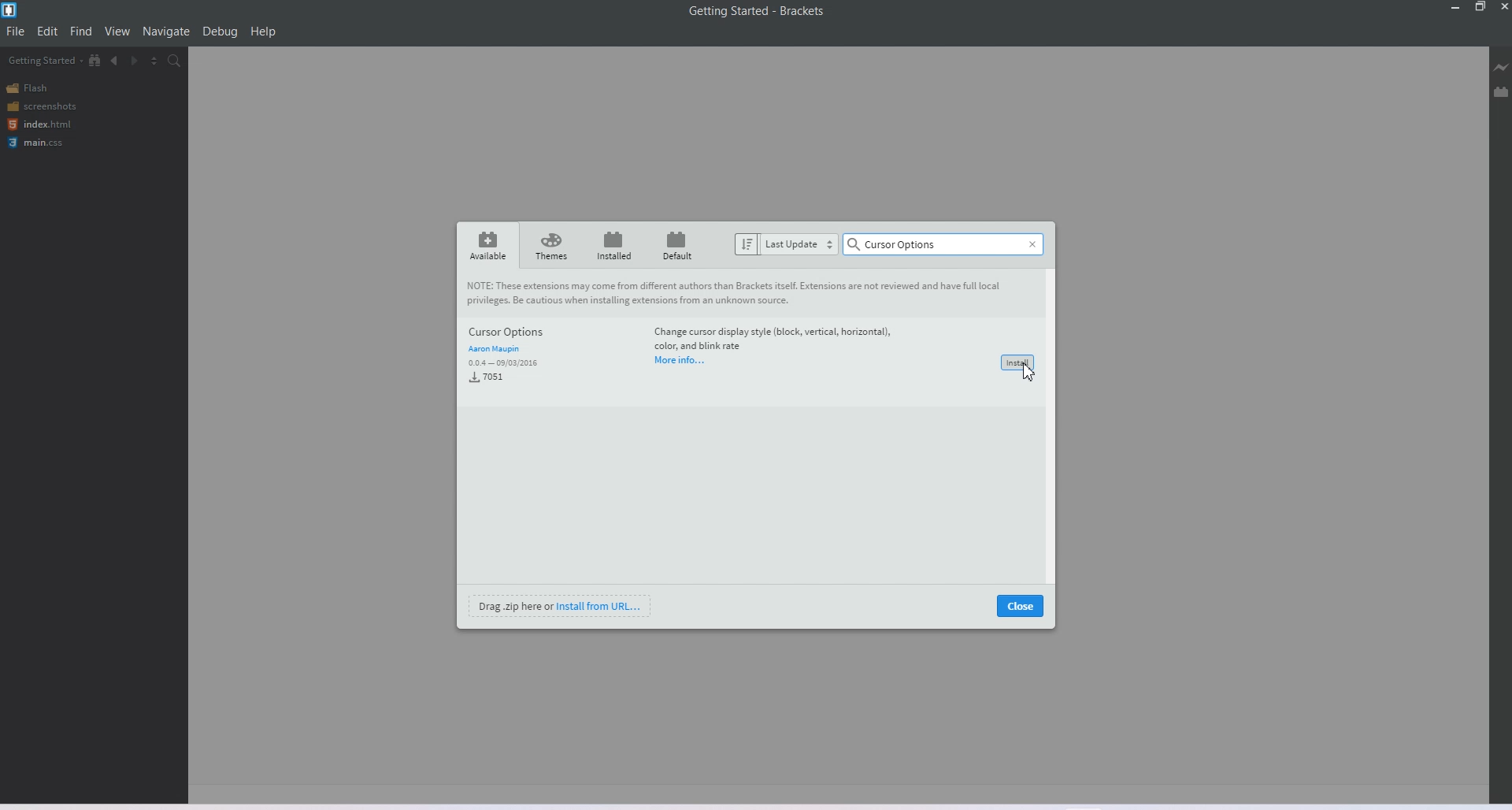 The image size is (1512, 810). I want to click on Live Preview, so click(1501, 67).